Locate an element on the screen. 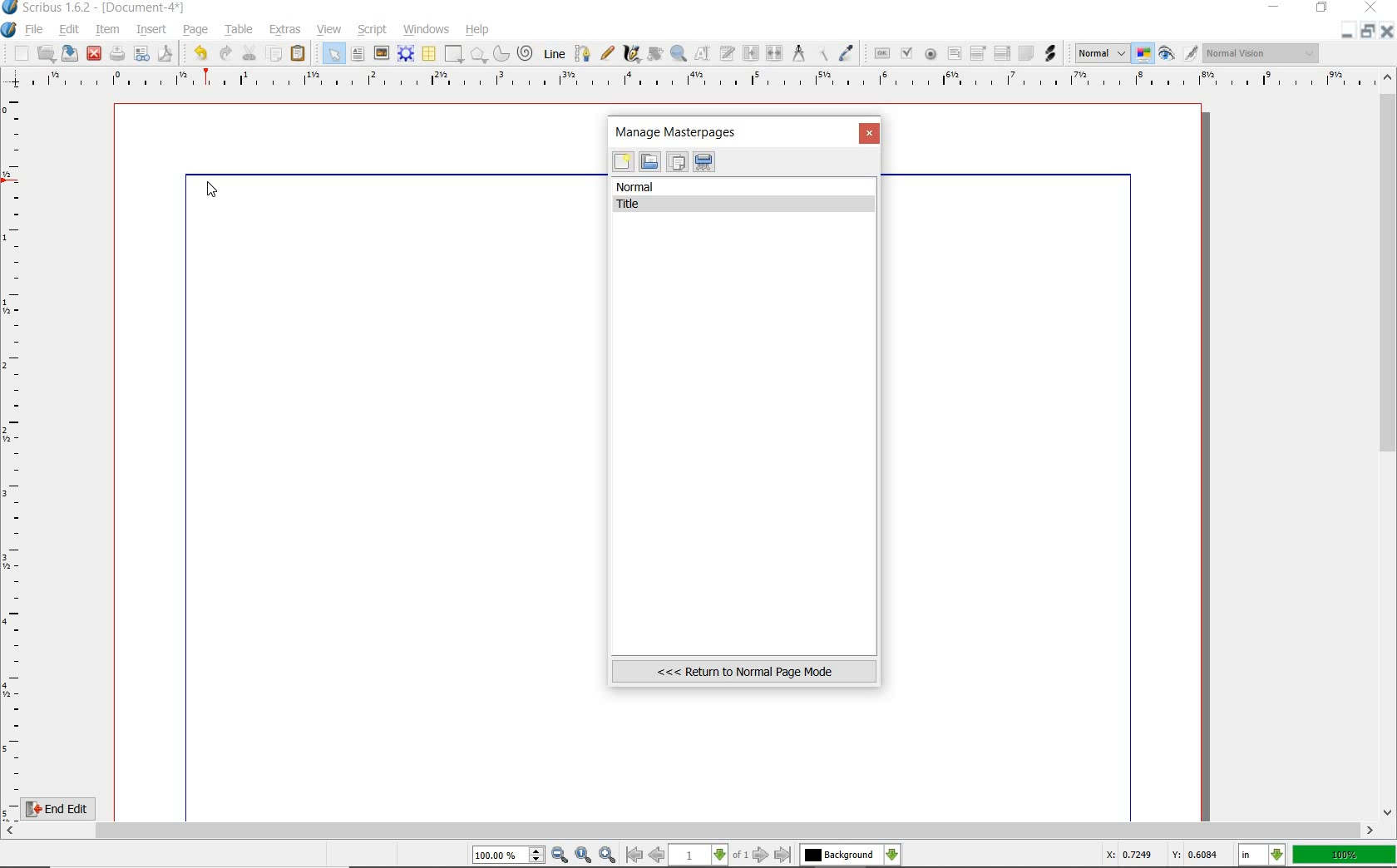 Image resolution: width=1397 pixels, height=868 pixels. delete the selected masterpages is located at coordinates (704, 162).